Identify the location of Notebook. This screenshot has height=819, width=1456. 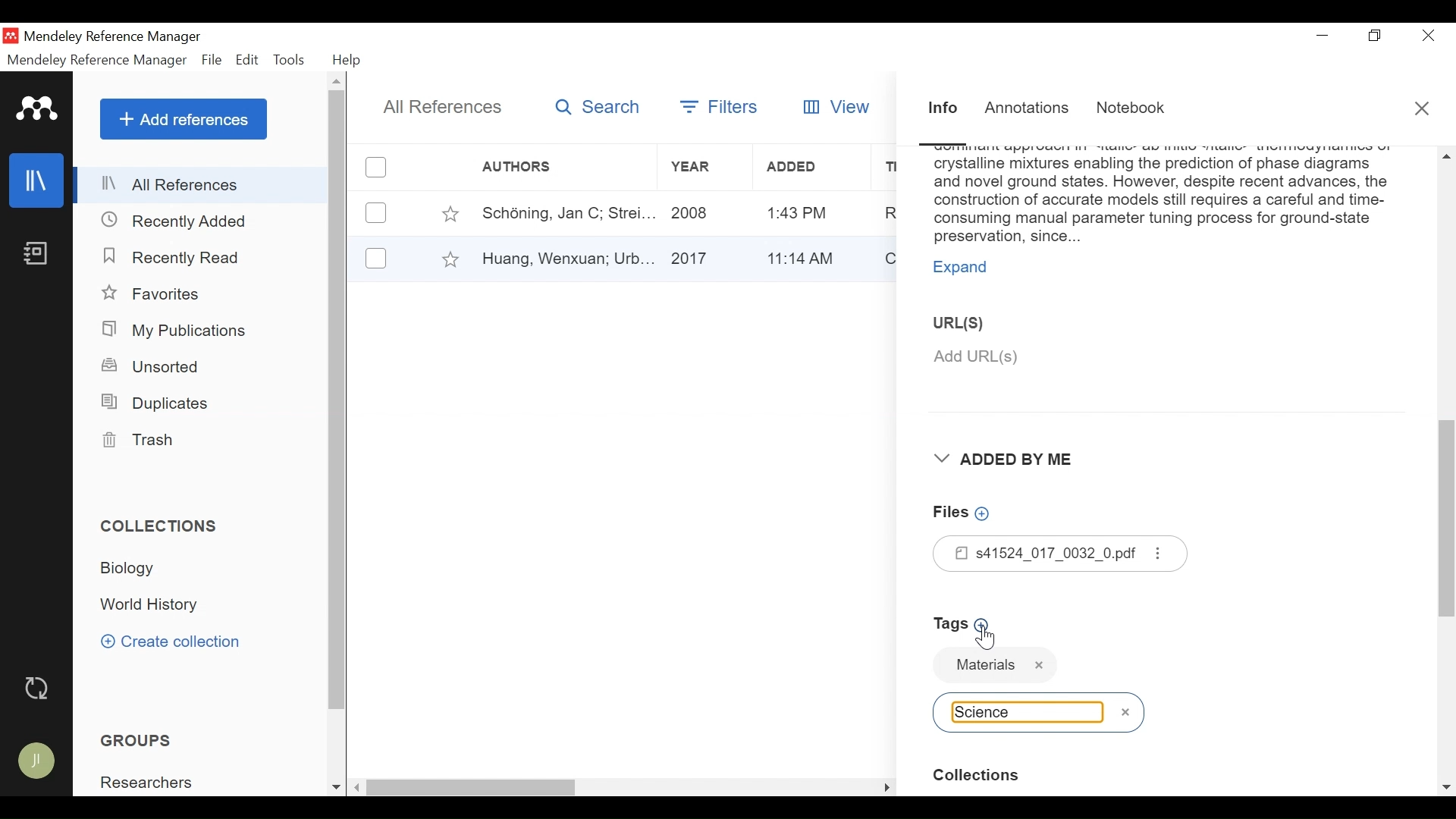
(36, 253).